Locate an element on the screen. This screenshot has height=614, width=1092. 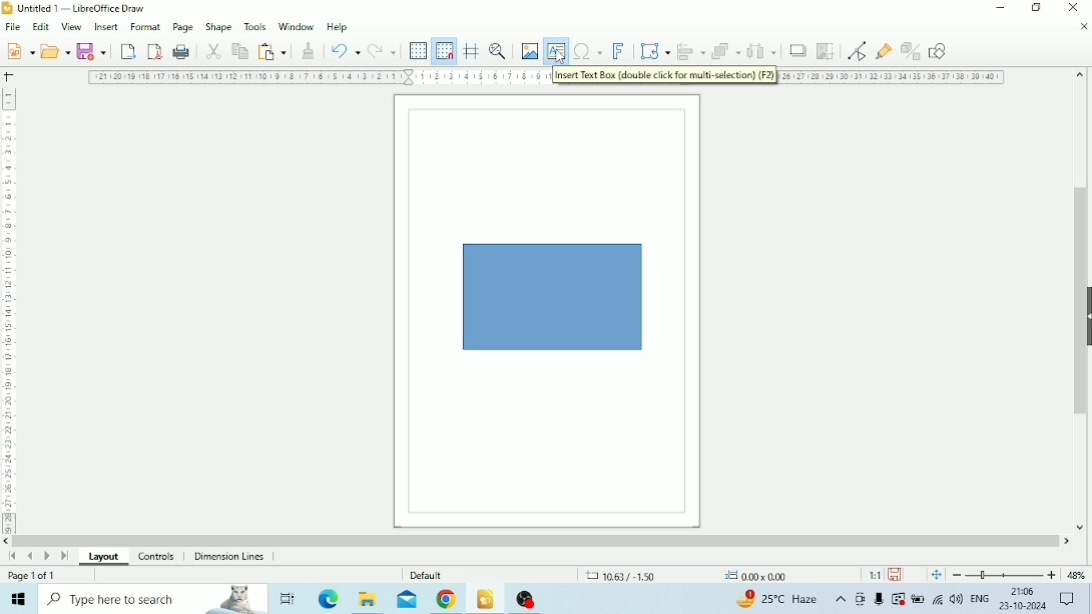
Print is located at coordinates (182, 52).